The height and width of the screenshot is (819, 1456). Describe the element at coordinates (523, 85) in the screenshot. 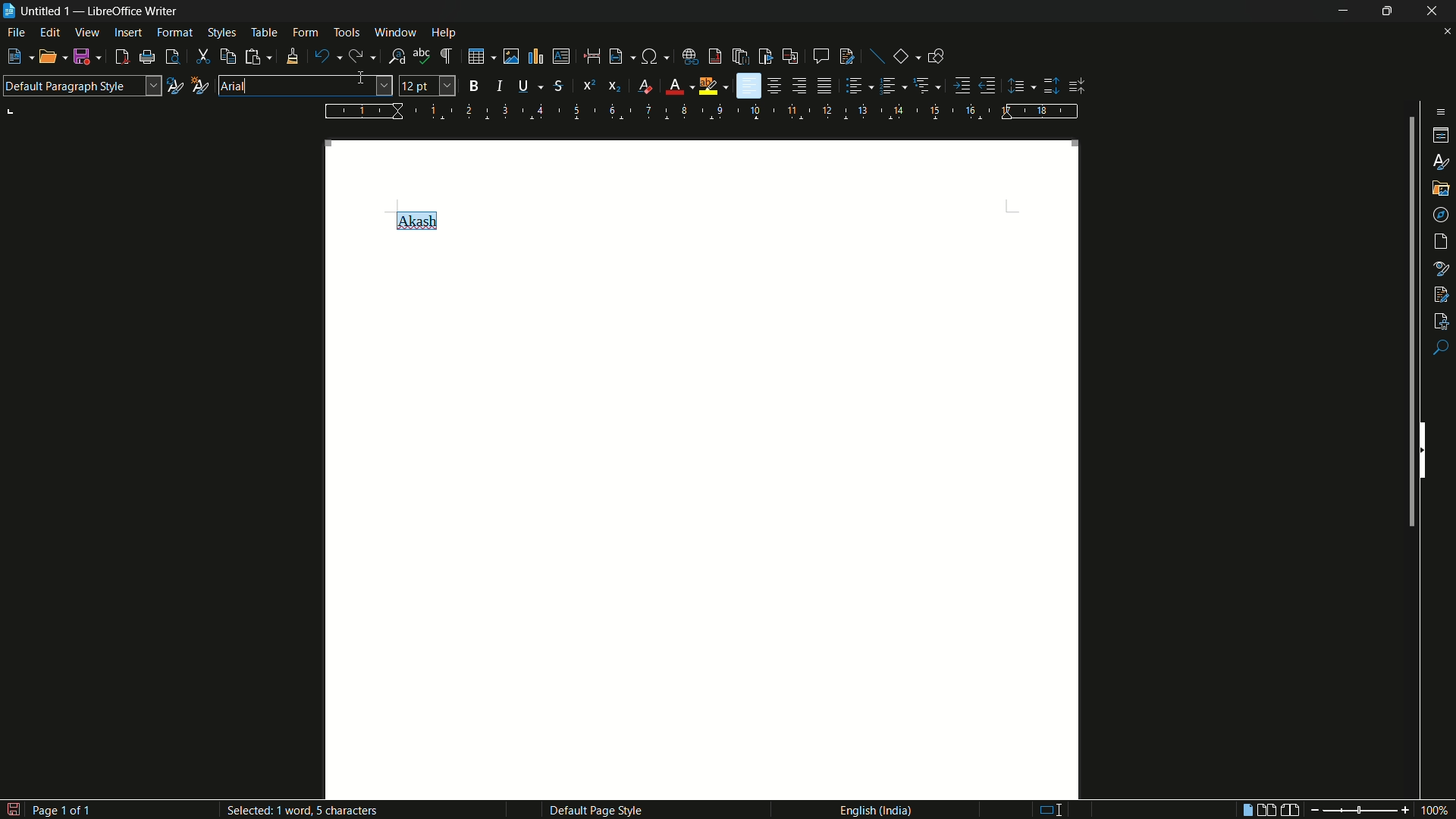

I see `underline` at that location.